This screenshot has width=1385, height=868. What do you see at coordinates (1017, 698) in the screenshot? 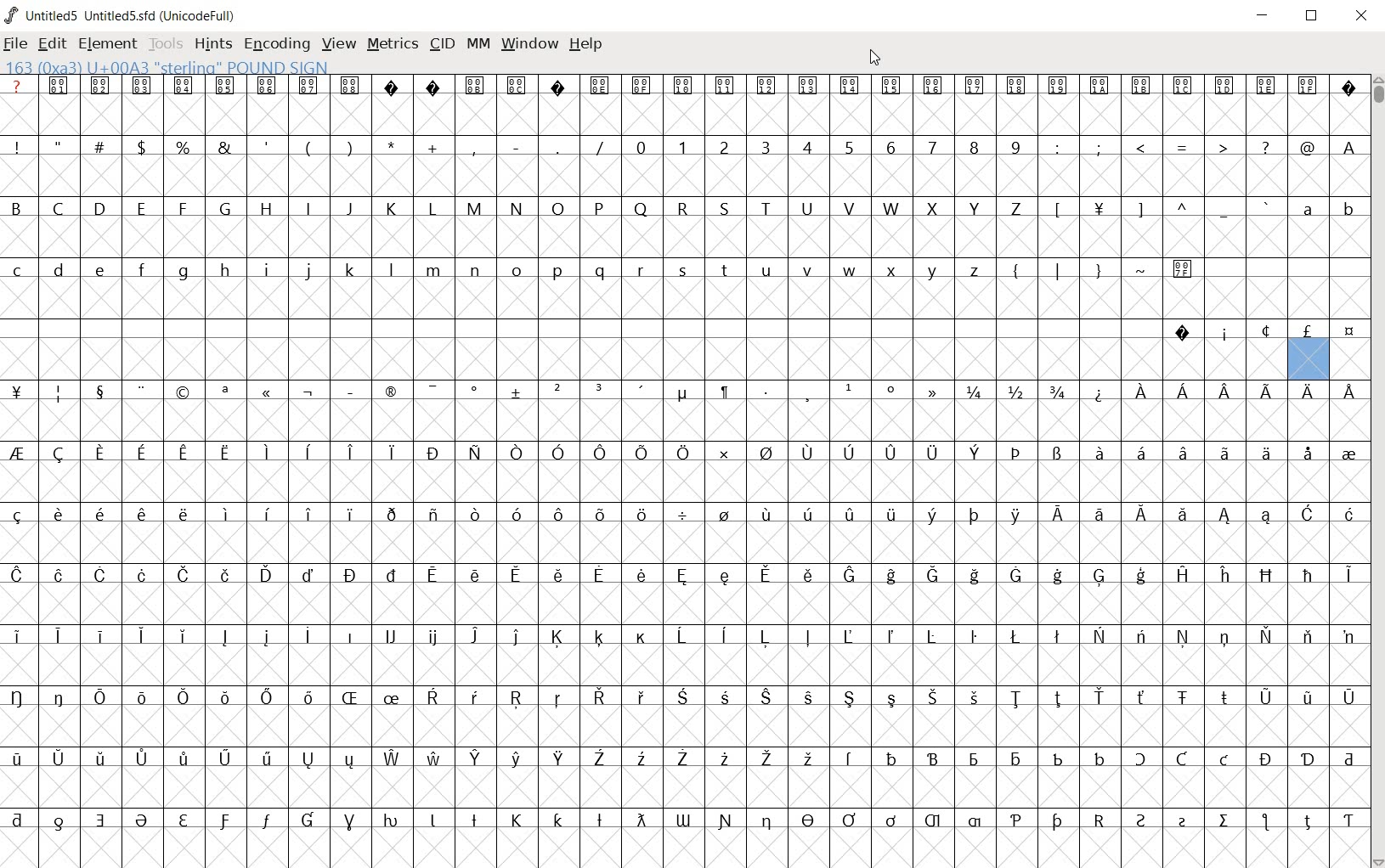
I see `Symbol` at bounding box center [1017, 698].